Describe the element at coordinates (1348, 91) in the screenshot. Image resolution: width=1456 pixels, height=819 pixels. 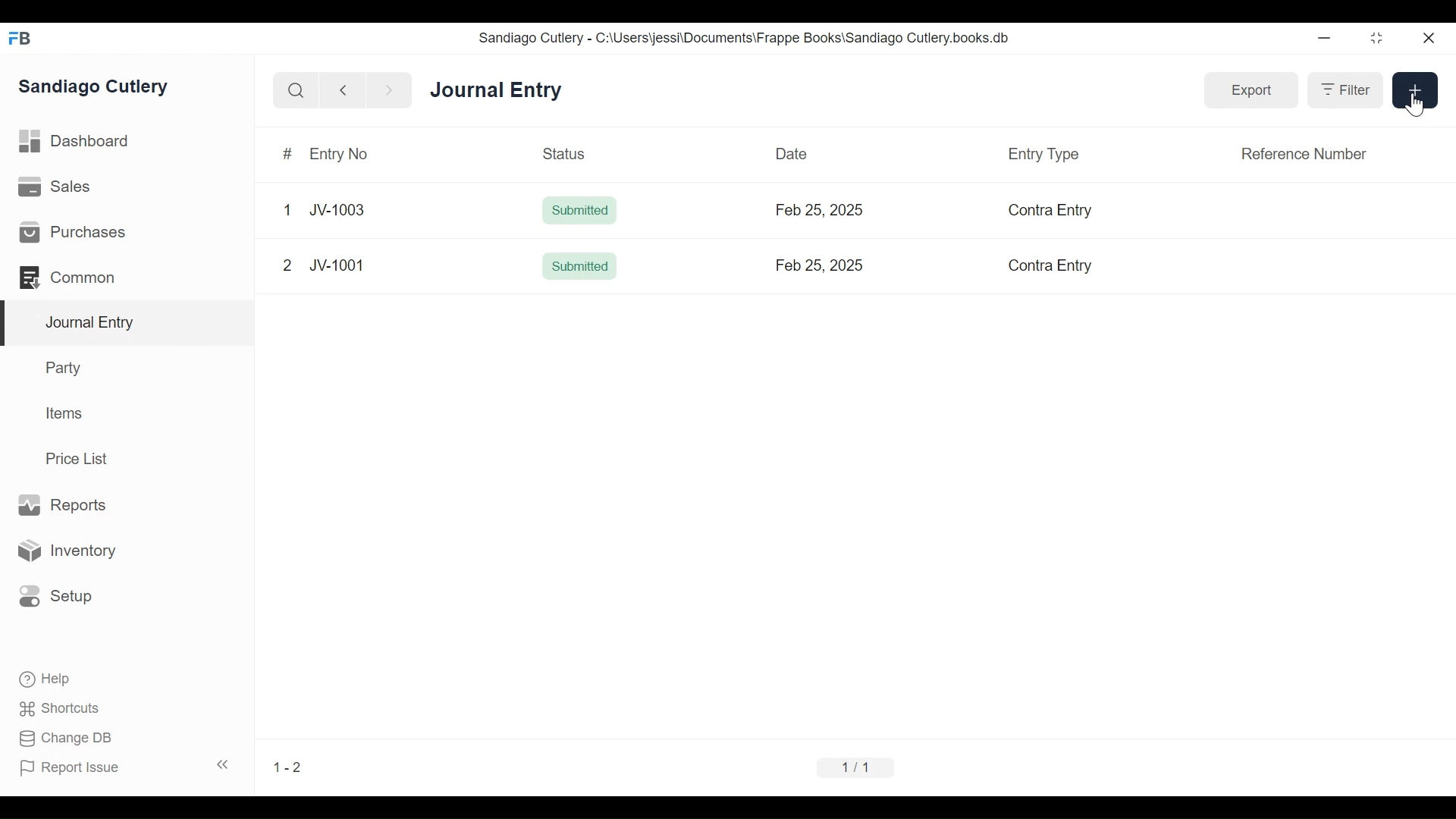
I see `Filter` at that location.